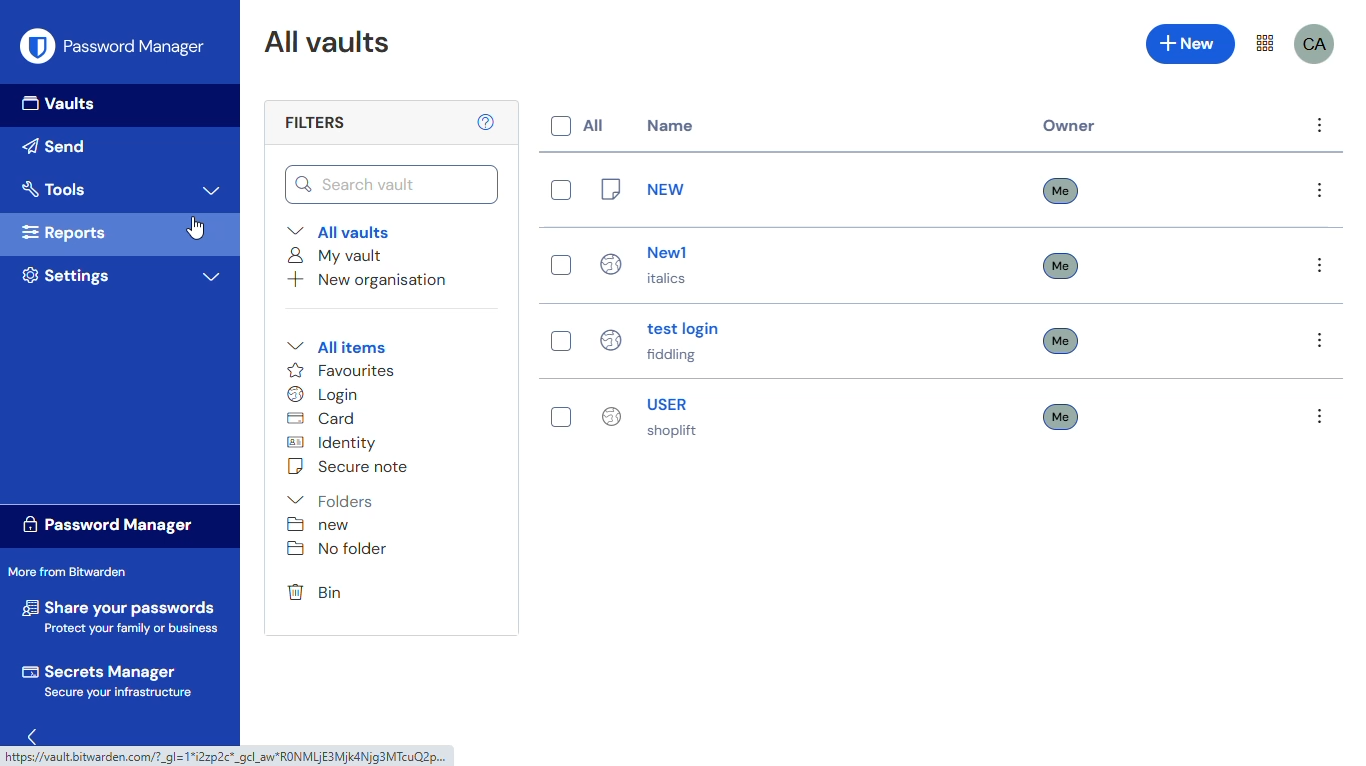  What do you see at coordinates (651, 265) in the screenshot?
I see `new italics` at bounding box center [651, 265].